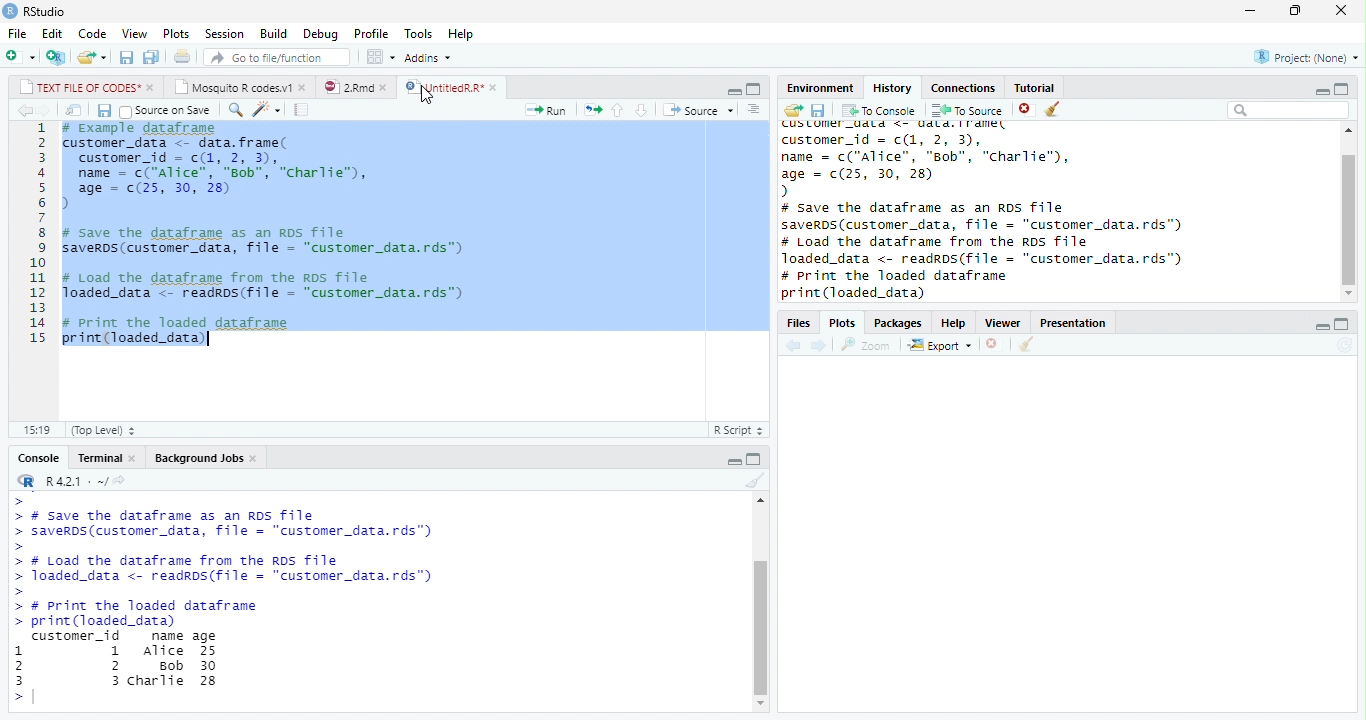 Image resolution: width=1366 pixels, height=720 pixels. I want to click on Files, so click(798, 323).